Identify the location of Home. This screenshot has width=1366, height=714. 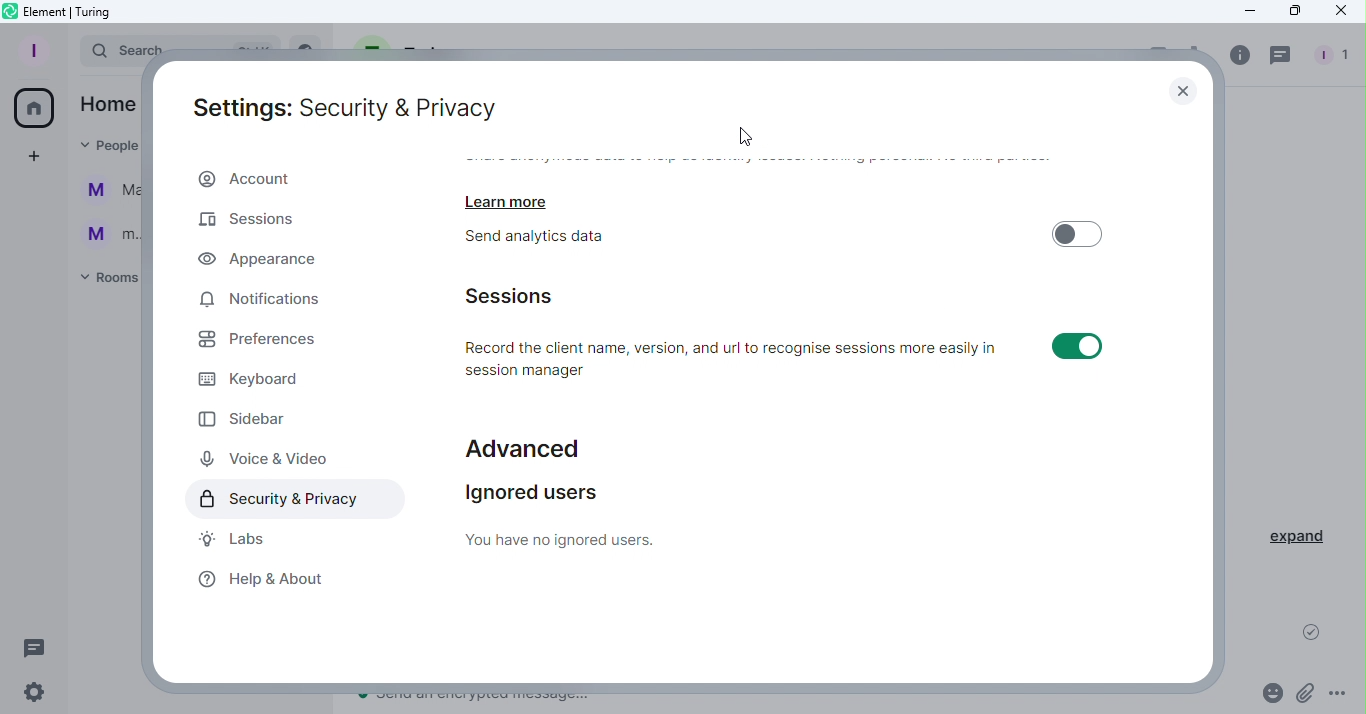
(107, 103).